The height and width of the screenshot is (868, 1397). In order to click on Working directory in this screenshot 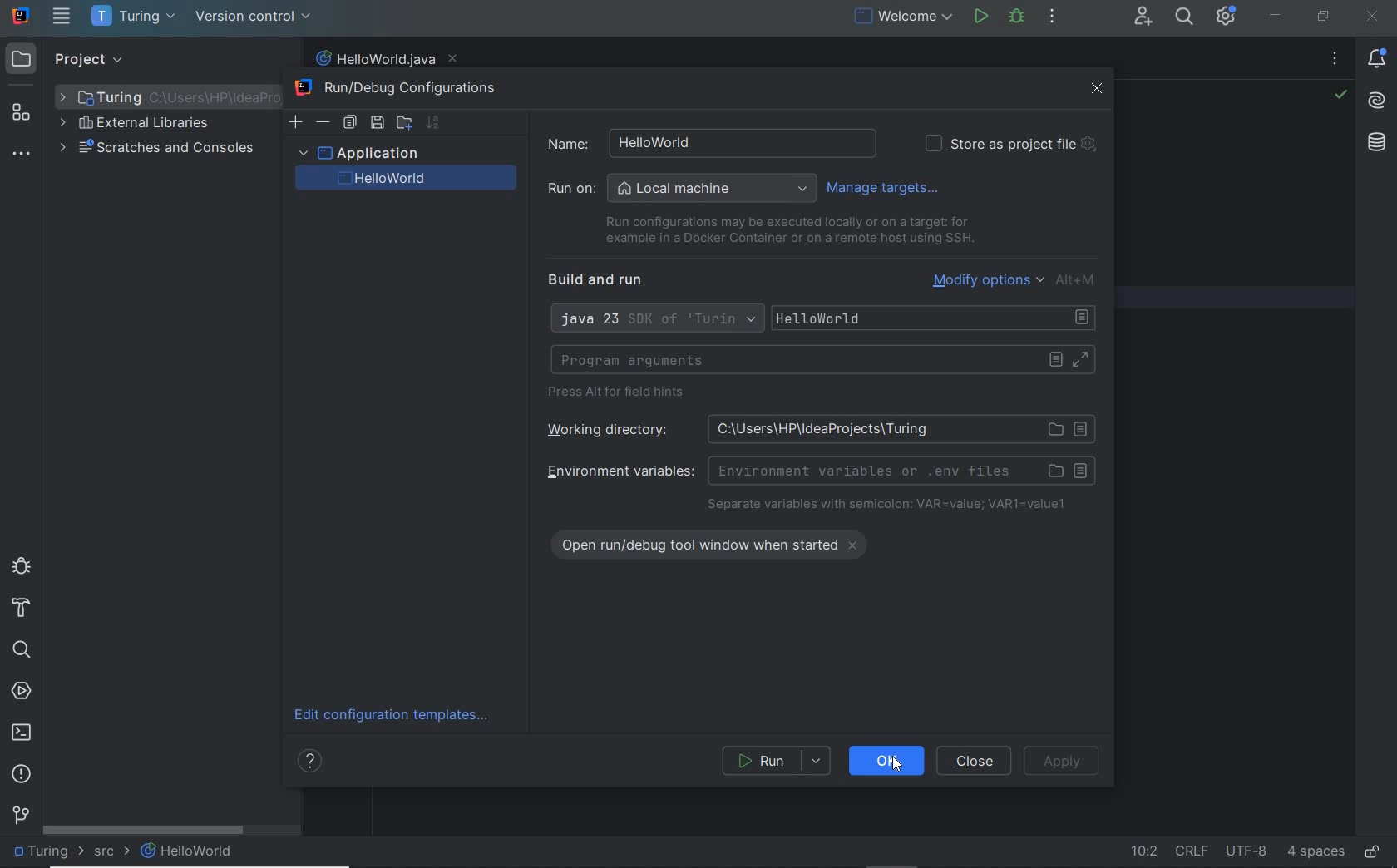, I will do `click(815, 428)`.